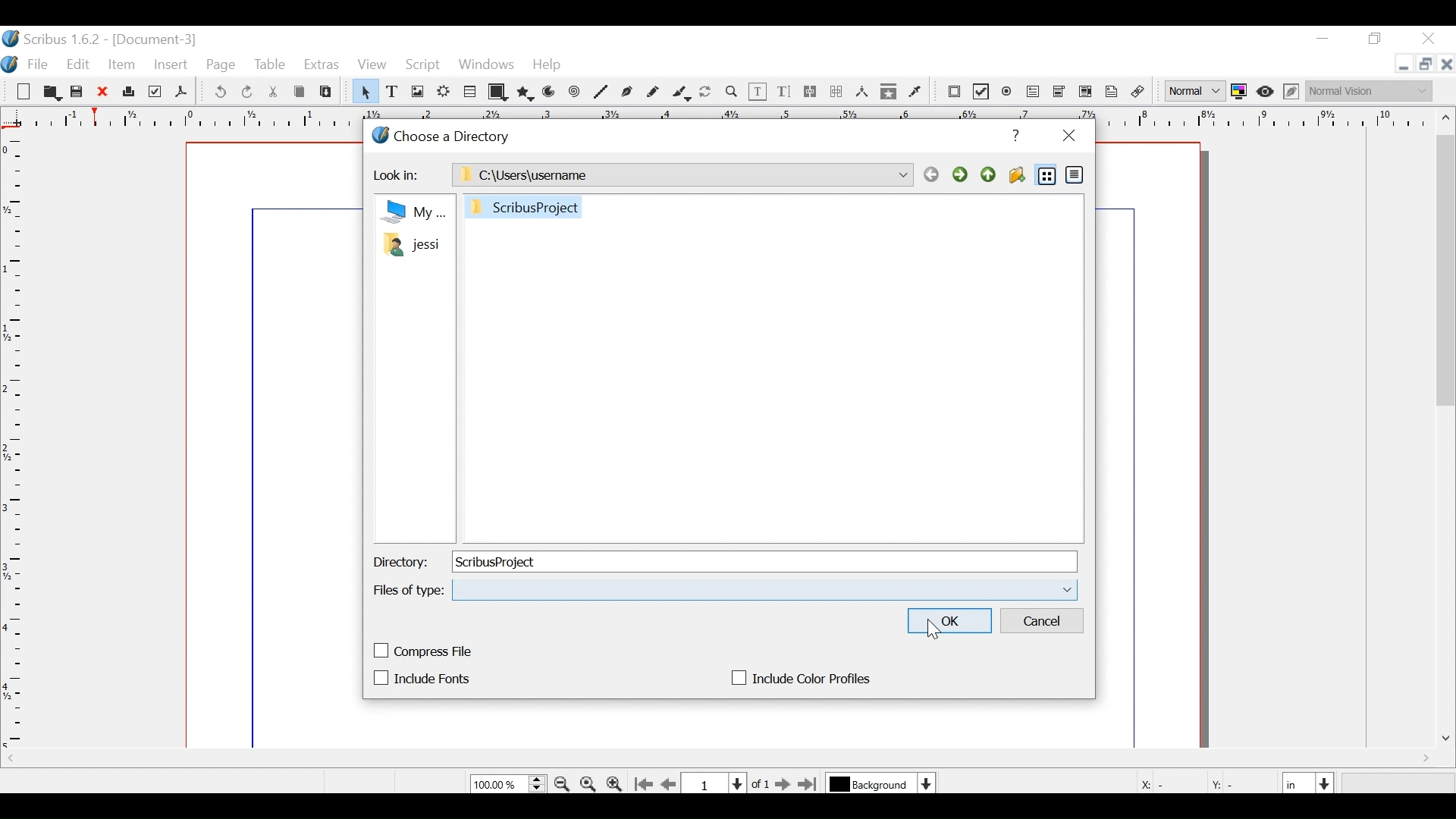 Image resolution: width=1456 pixels, height=819 pixels. I want to click on , so click(12, 458).